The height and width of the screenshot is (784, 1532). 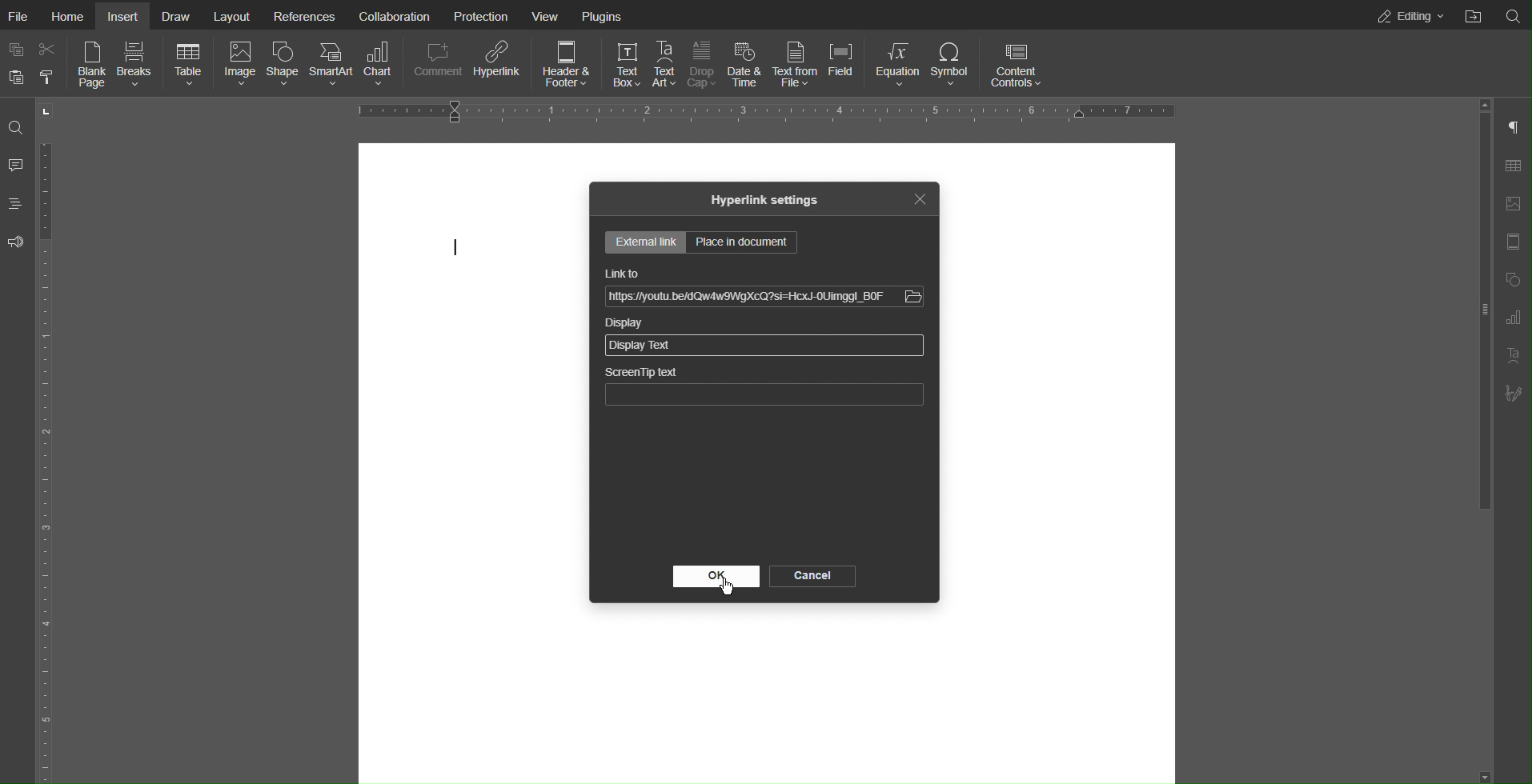 I want to click on cursor, so click(x=459, y=246).